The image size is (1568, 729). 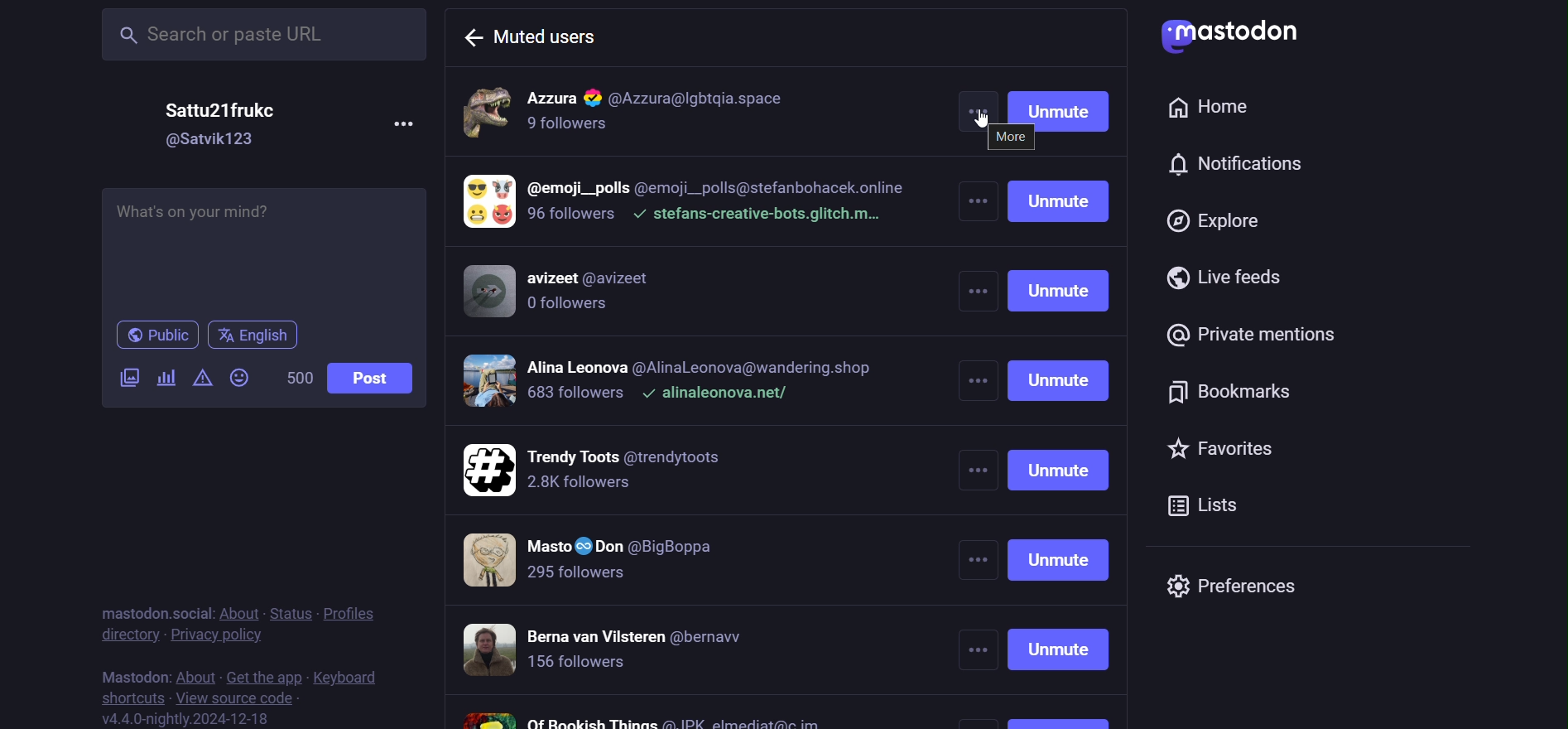 I want to click on emoji, so click(x=239, y=377).